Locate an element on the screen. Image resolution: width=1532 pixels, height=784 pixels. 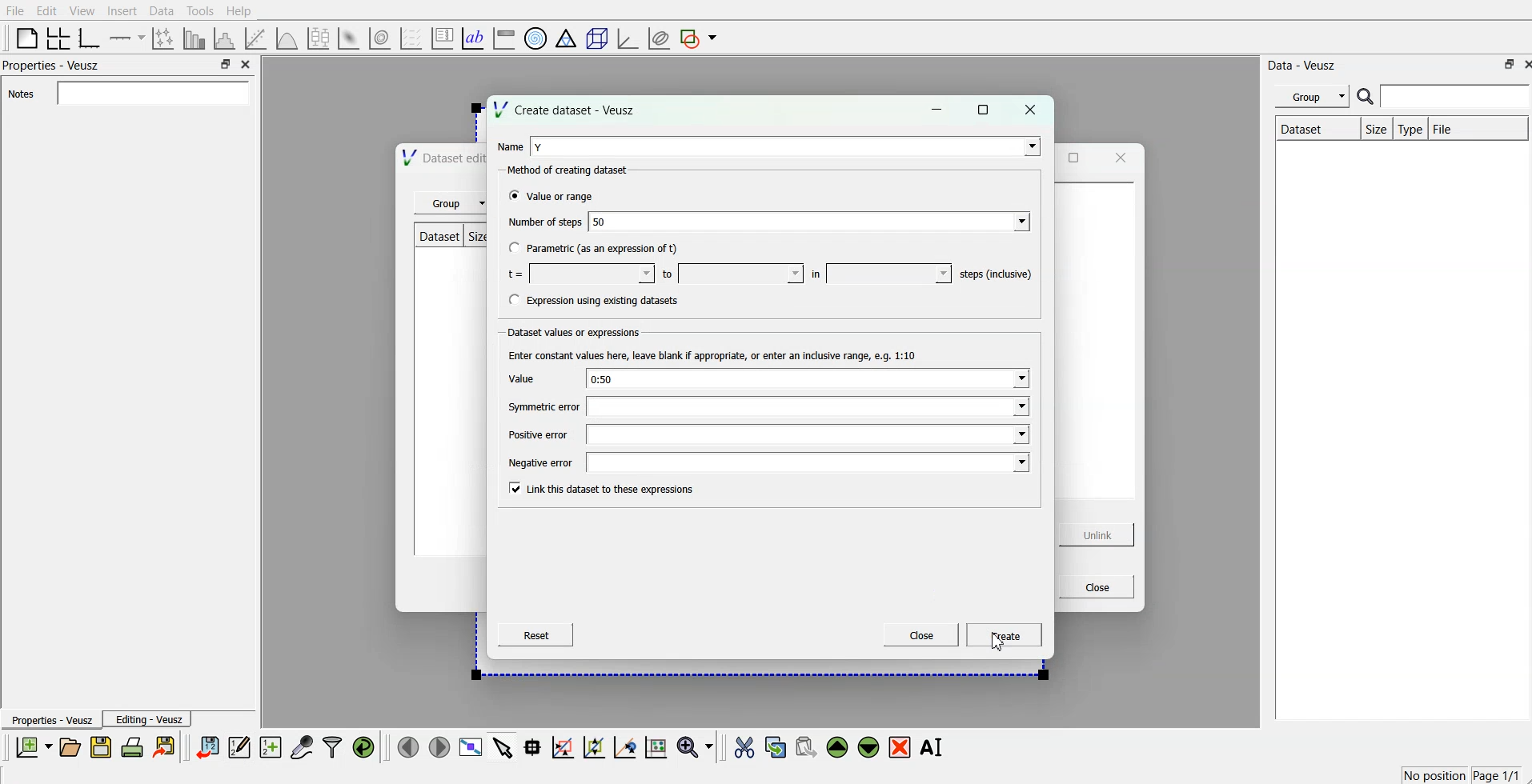
maximise is located at coordinates (1074, 157).